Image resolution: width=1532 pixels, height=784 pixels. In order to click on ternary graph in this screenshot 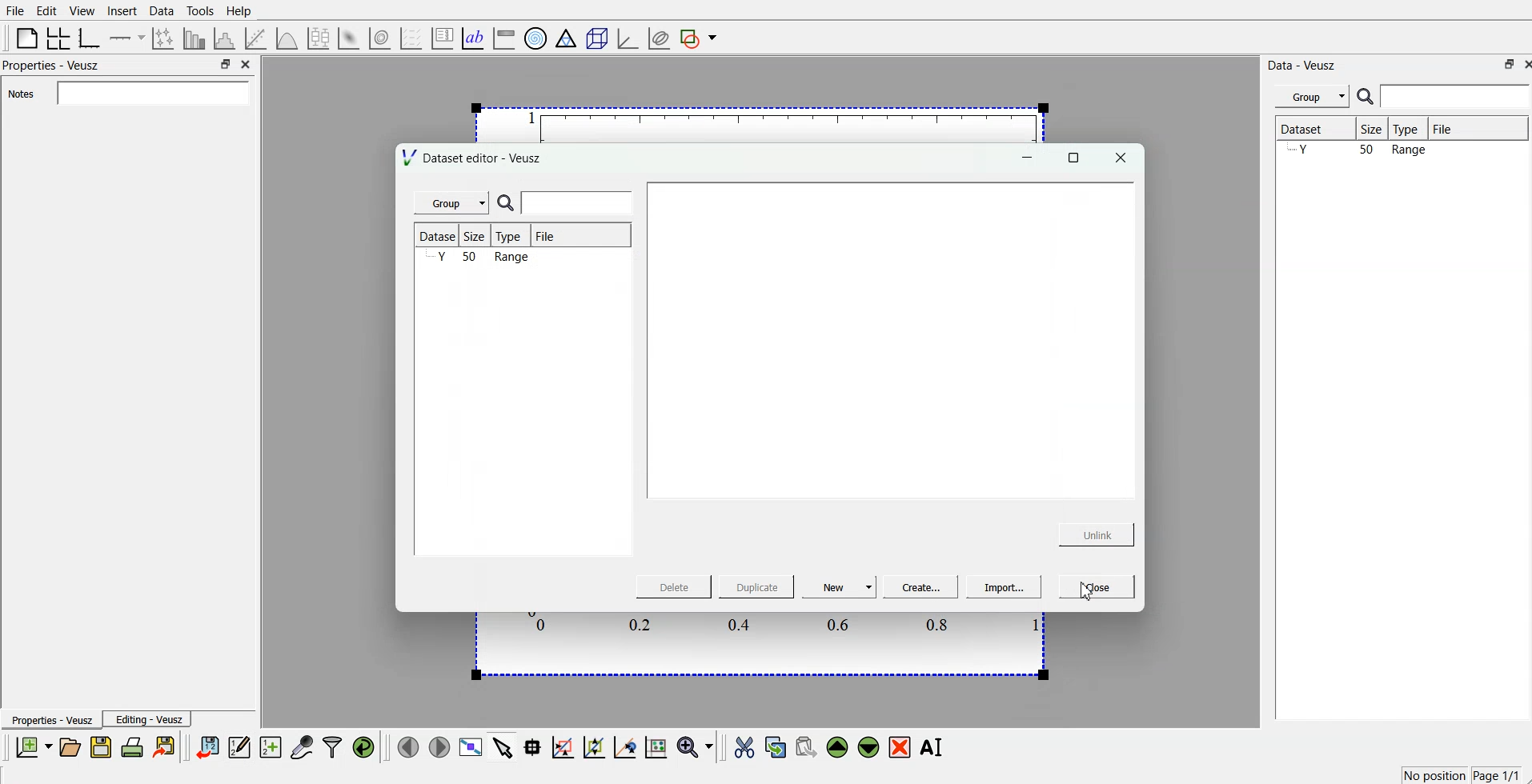, I will do `click(566, 37)`.